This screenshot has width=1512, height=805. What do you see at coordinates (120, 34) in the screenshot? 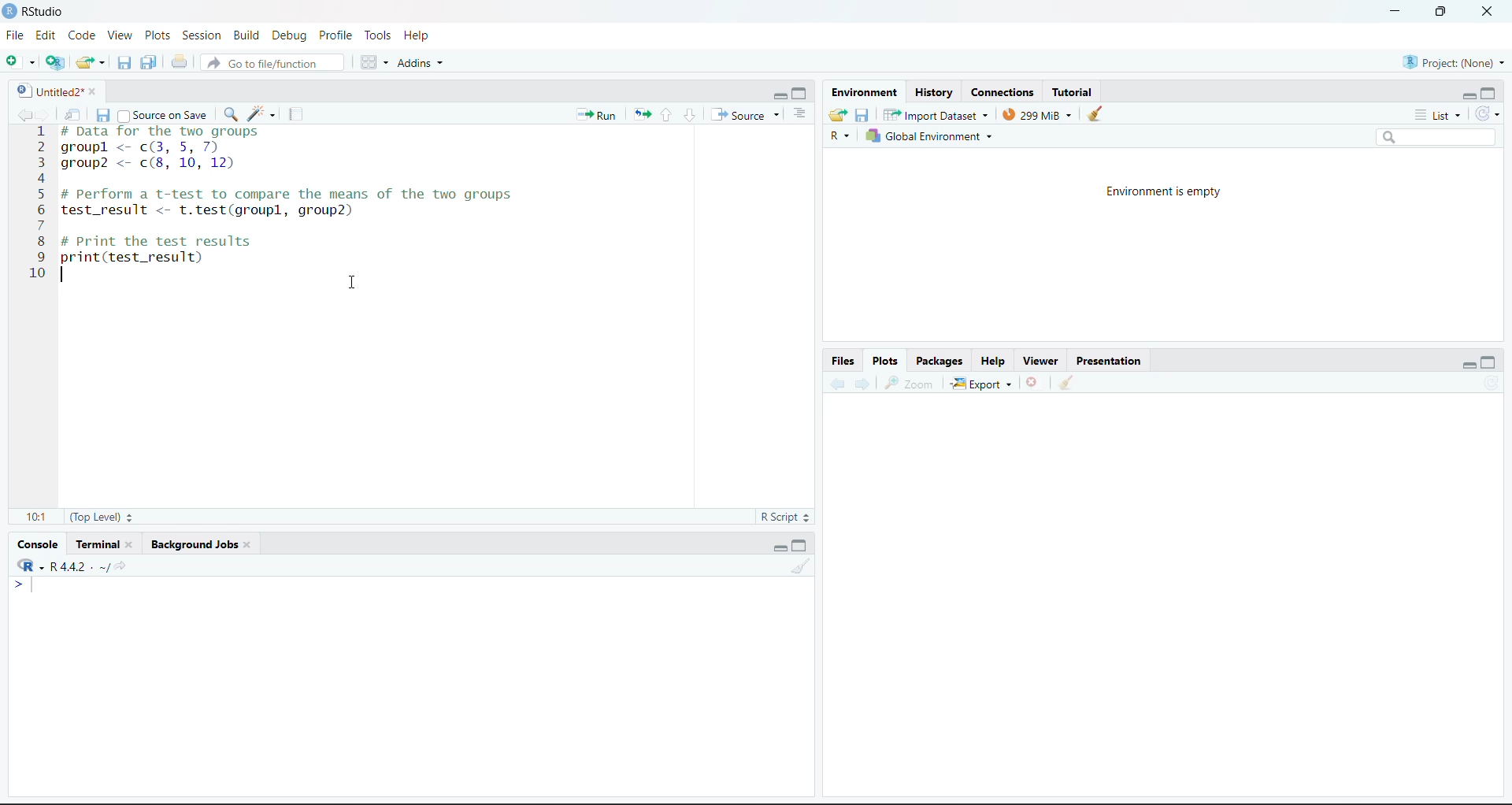
I see `View` at bounding box center [120, 34].